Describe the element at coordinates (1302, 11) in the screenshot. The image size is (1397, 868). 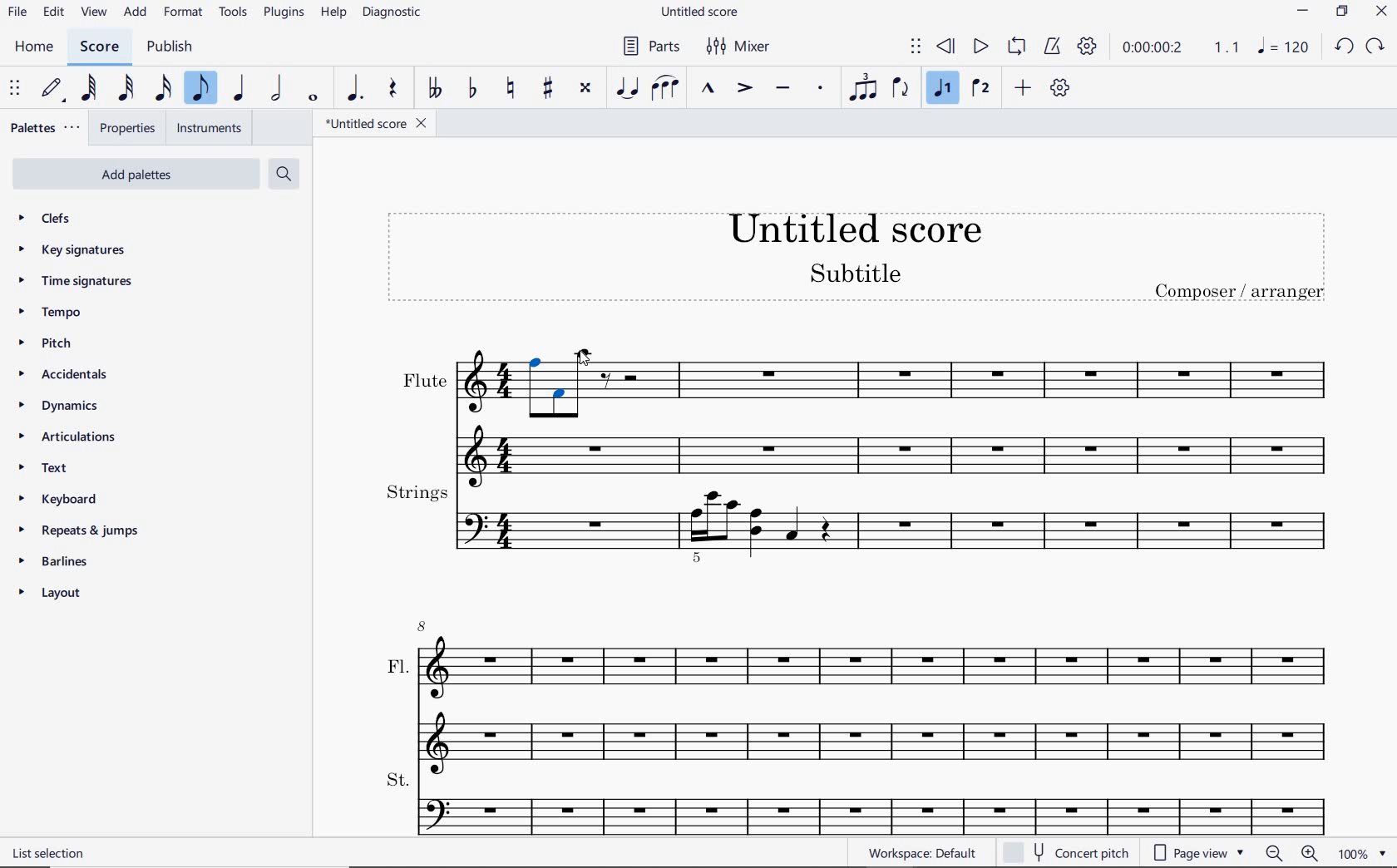
I see `minimize` at that location.